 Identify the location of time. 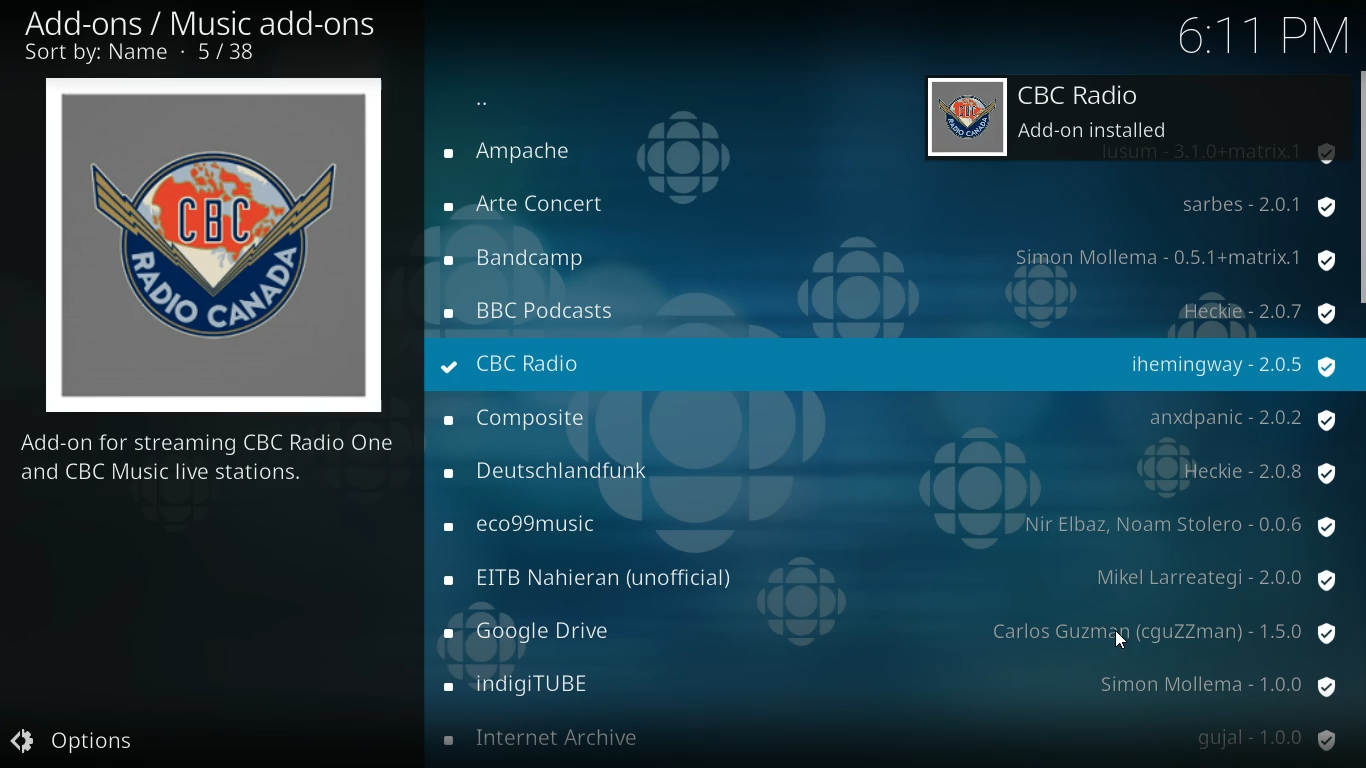
(1256, 36).